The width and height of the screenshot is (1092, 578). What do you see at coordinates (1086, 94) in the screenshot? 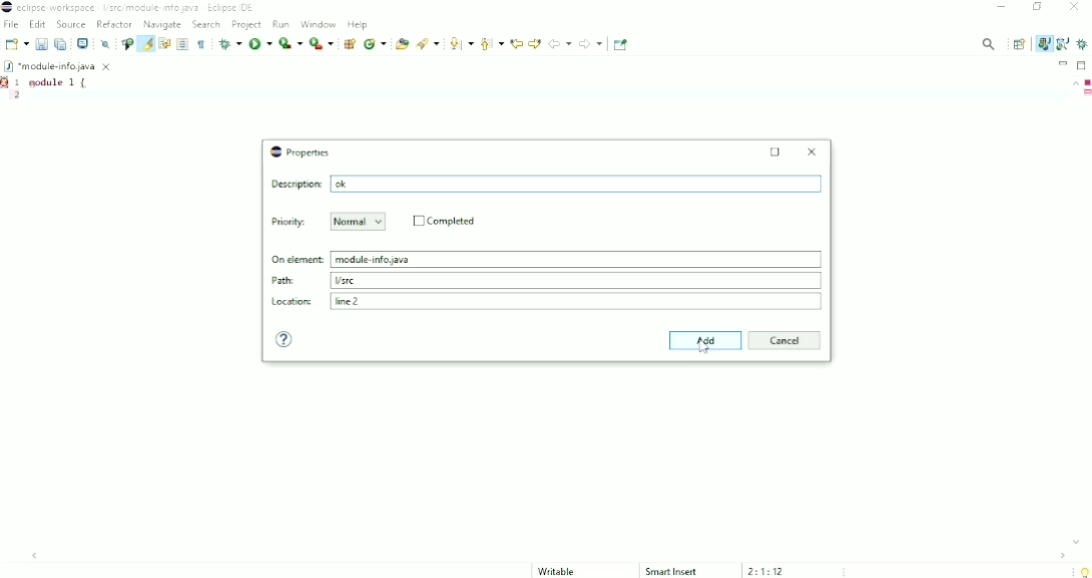
I see `Markers` at bounding box center [1086, 94].